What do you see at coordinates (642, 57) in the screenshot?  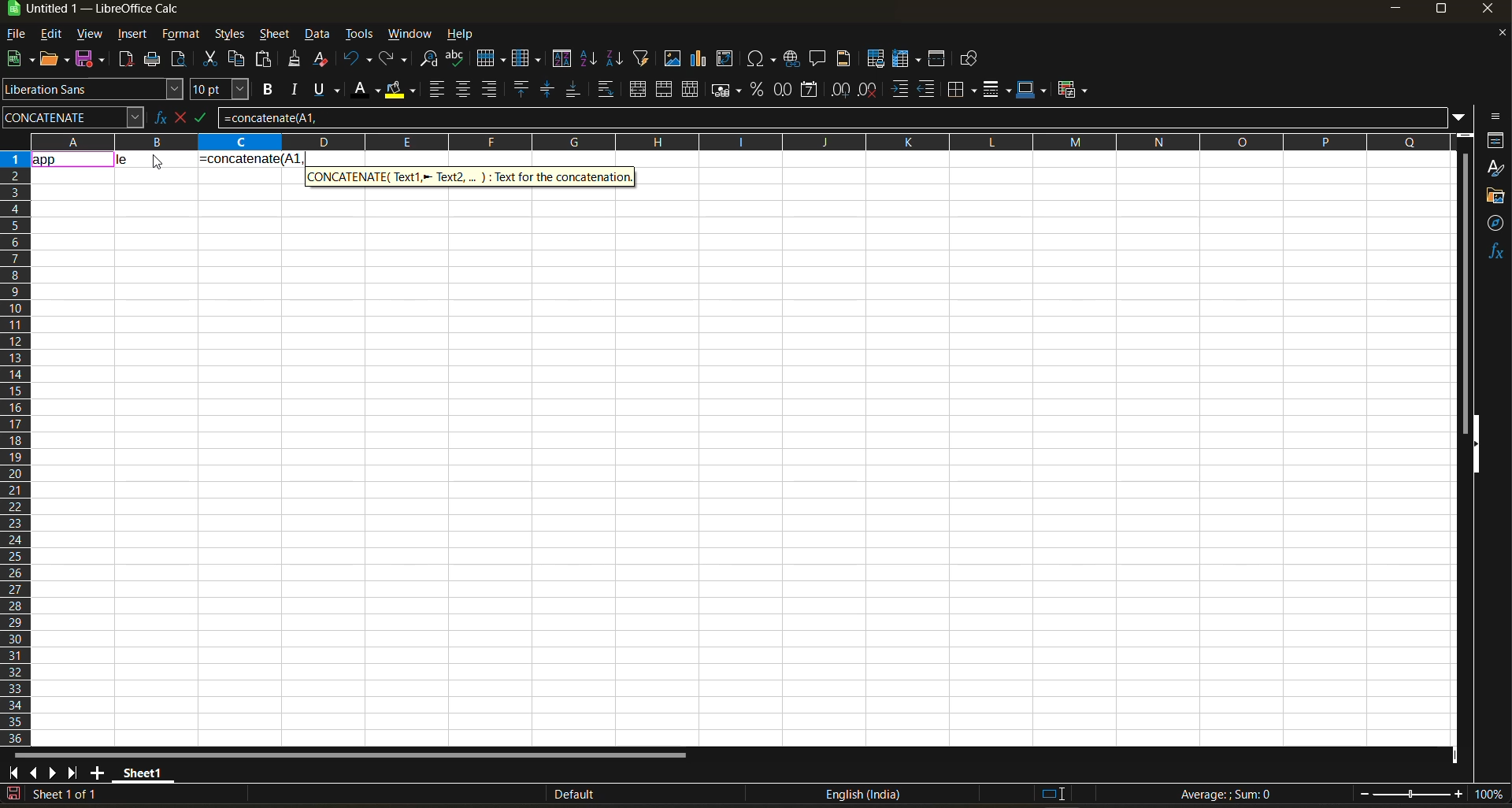 I see `autofilter` at bounding box center [642, 57].